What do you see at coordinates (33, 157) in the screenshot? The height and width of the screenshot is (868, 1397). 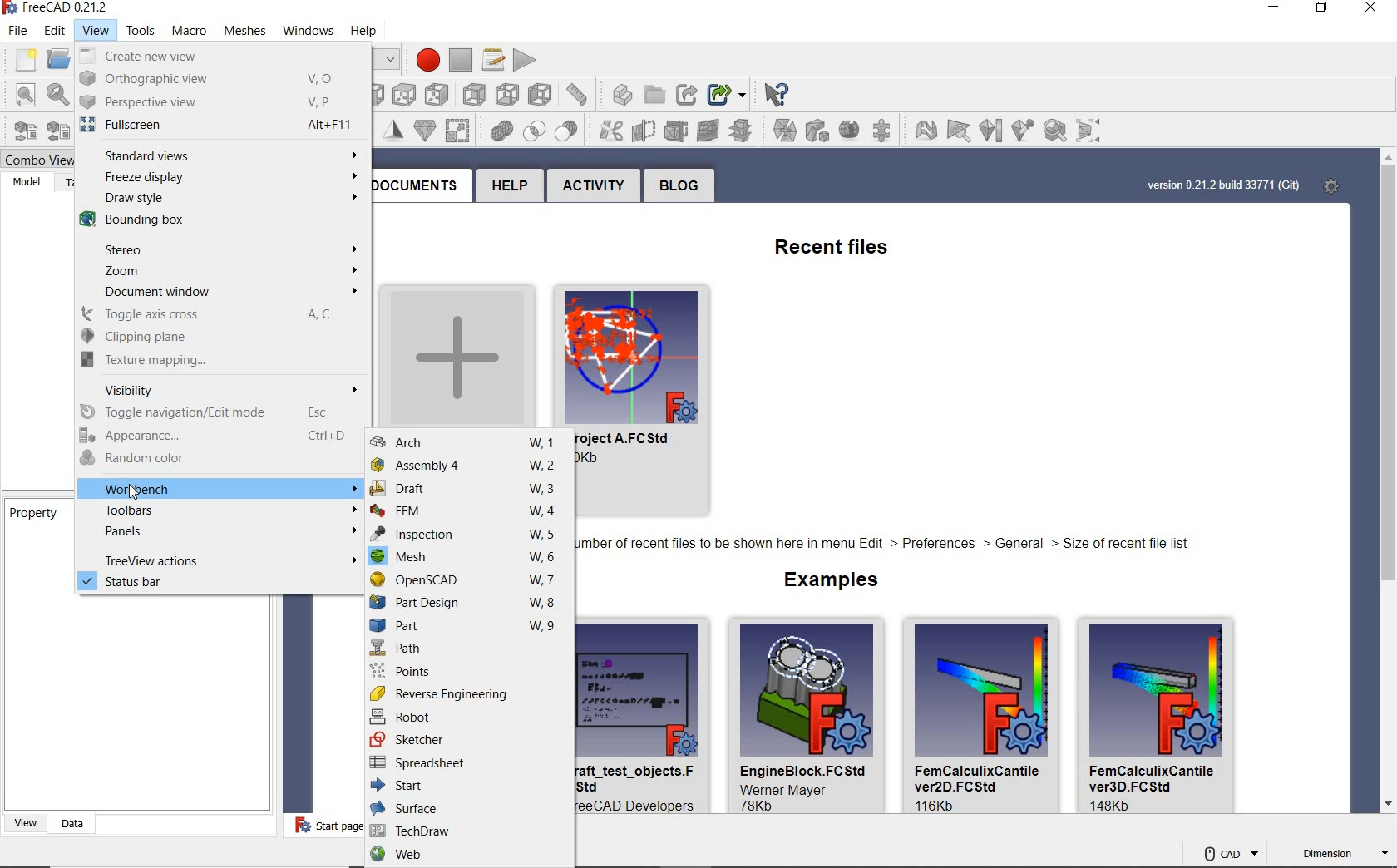 I see `combo view` at bounding box center [33, 157].